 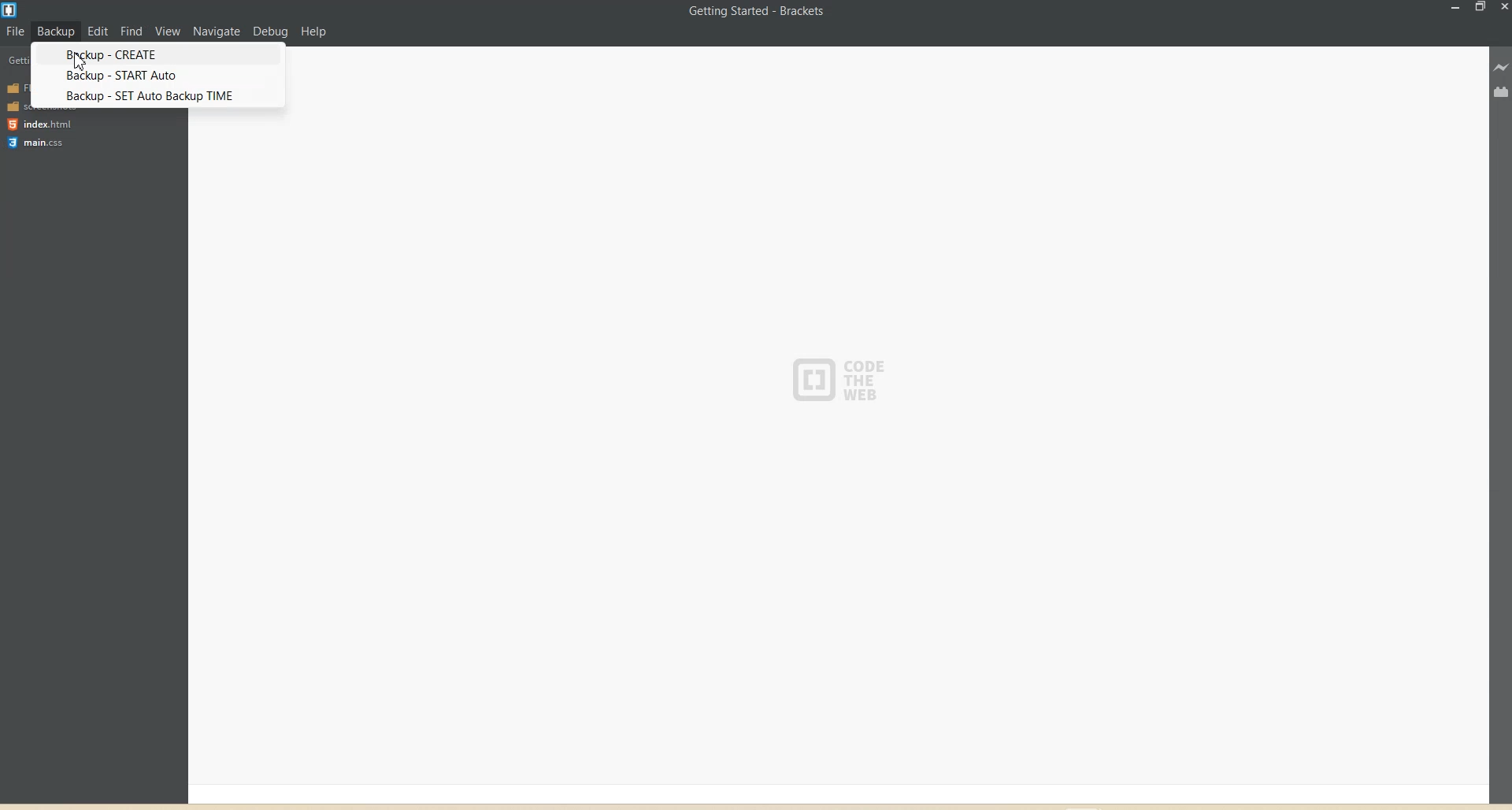 I want to click on index.html, so click(x=39, y=124).